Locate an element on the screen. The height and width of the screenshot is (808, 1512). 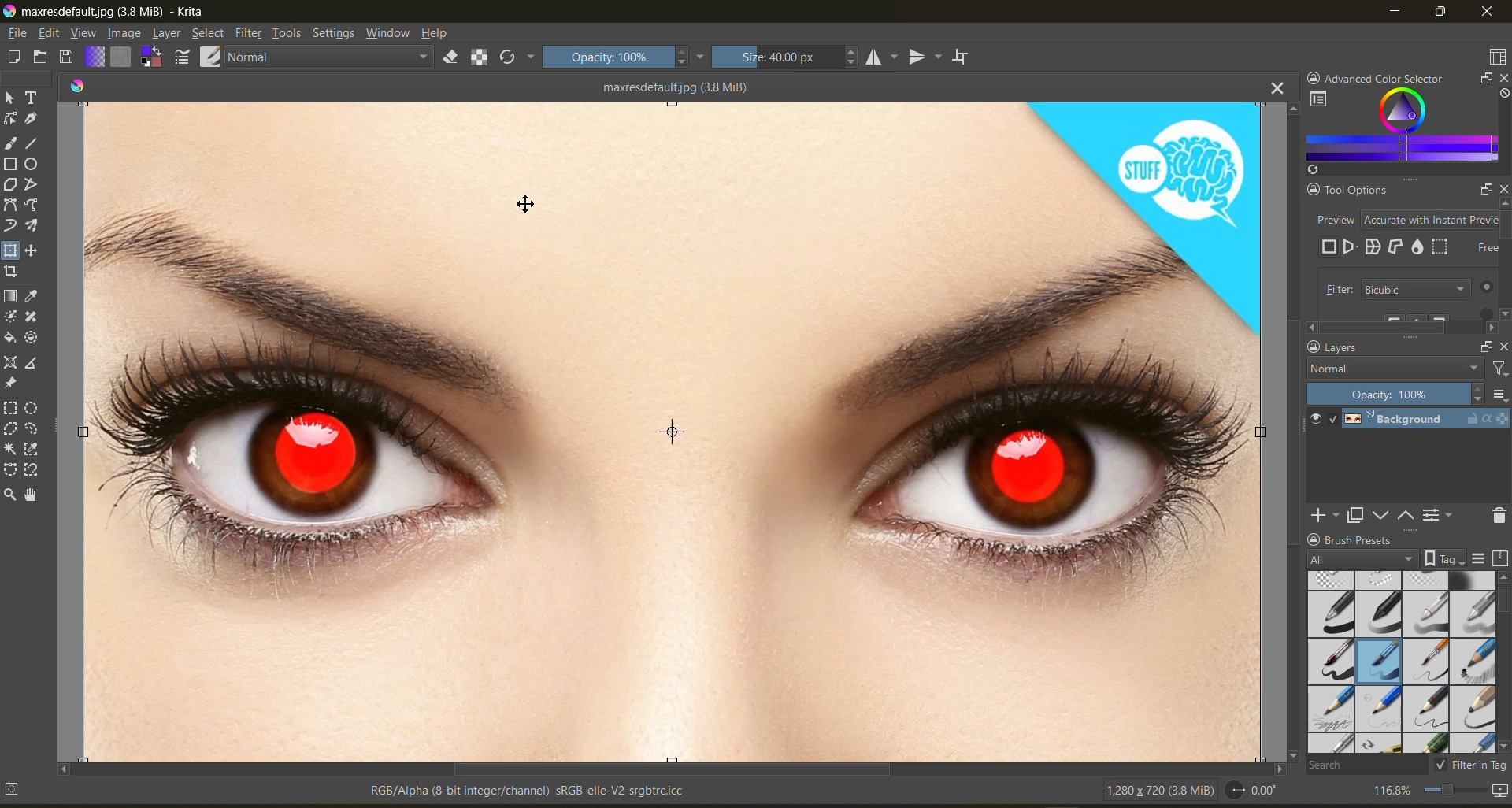
settings is located at coordinates (336, 35).